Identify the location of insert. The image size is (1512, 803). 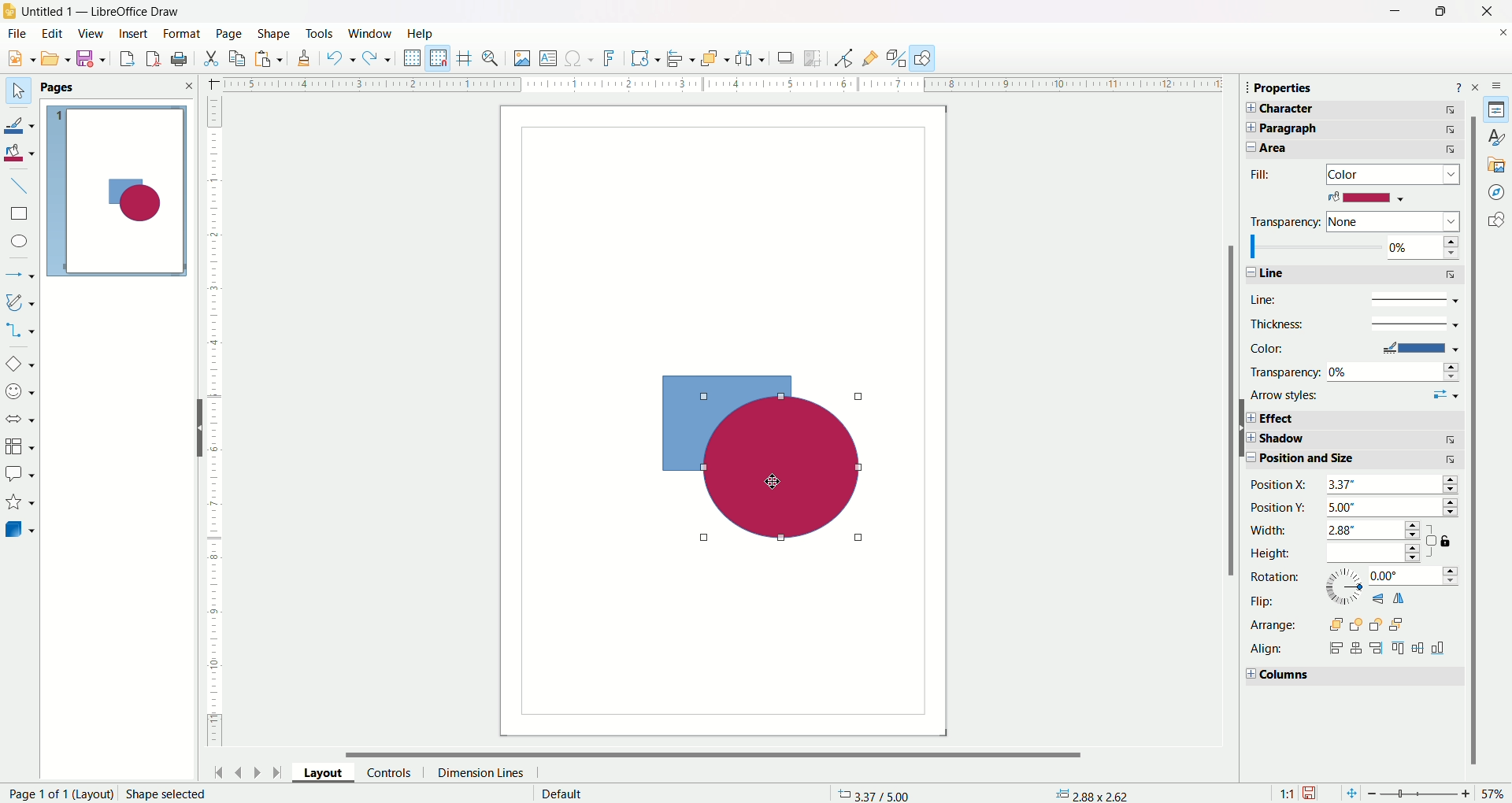
(134, 33).